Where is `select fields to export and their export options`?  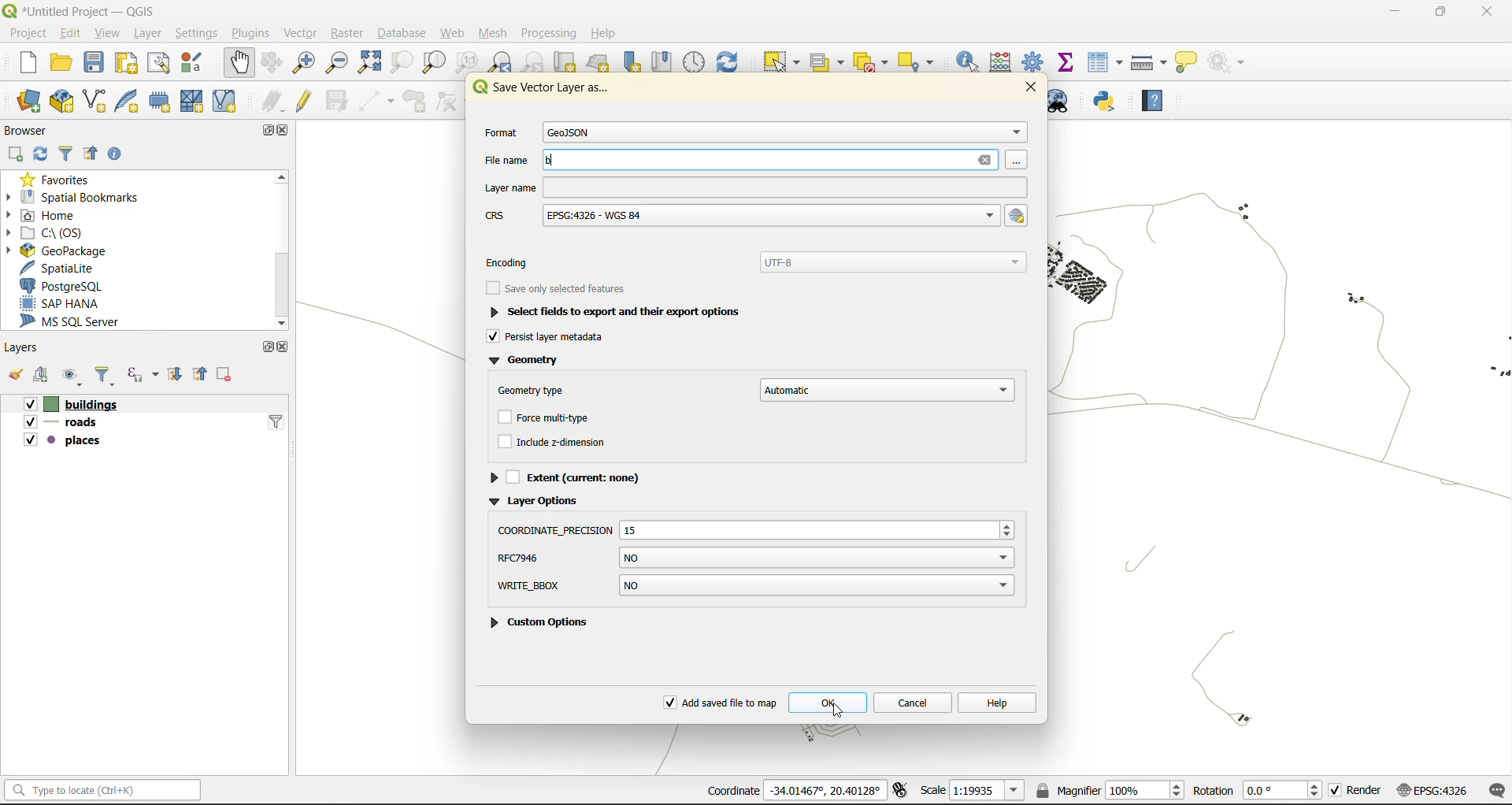
select fields to export and their export options is located at coordinates (611, 311).